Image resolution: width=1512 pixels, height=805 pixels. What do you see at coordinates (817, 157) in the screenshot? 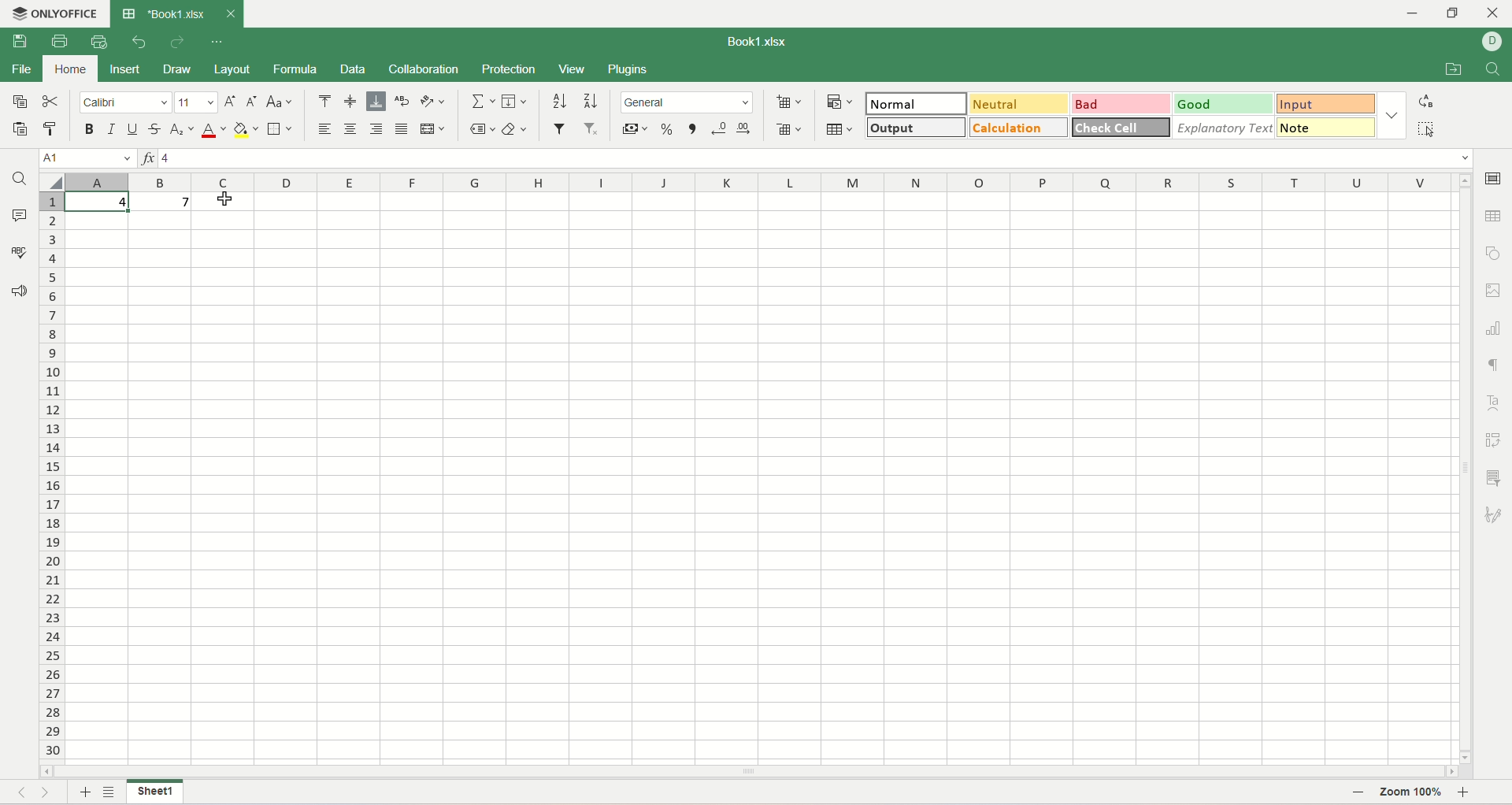
I see `input line` at bounding box center [817, 157].